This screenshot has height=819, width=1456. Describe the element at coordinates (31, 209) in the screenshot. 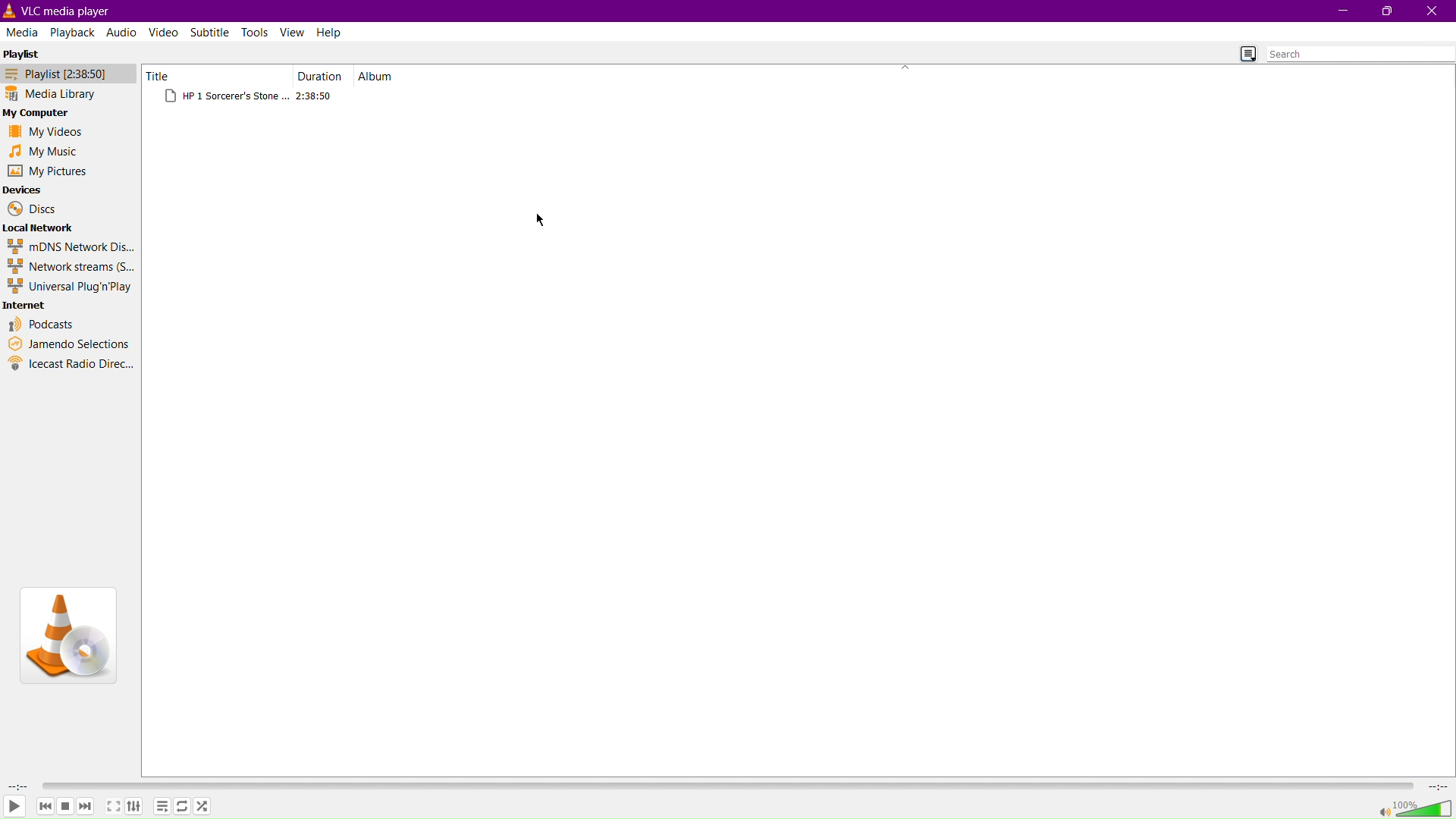

I see `Discs` at that location.